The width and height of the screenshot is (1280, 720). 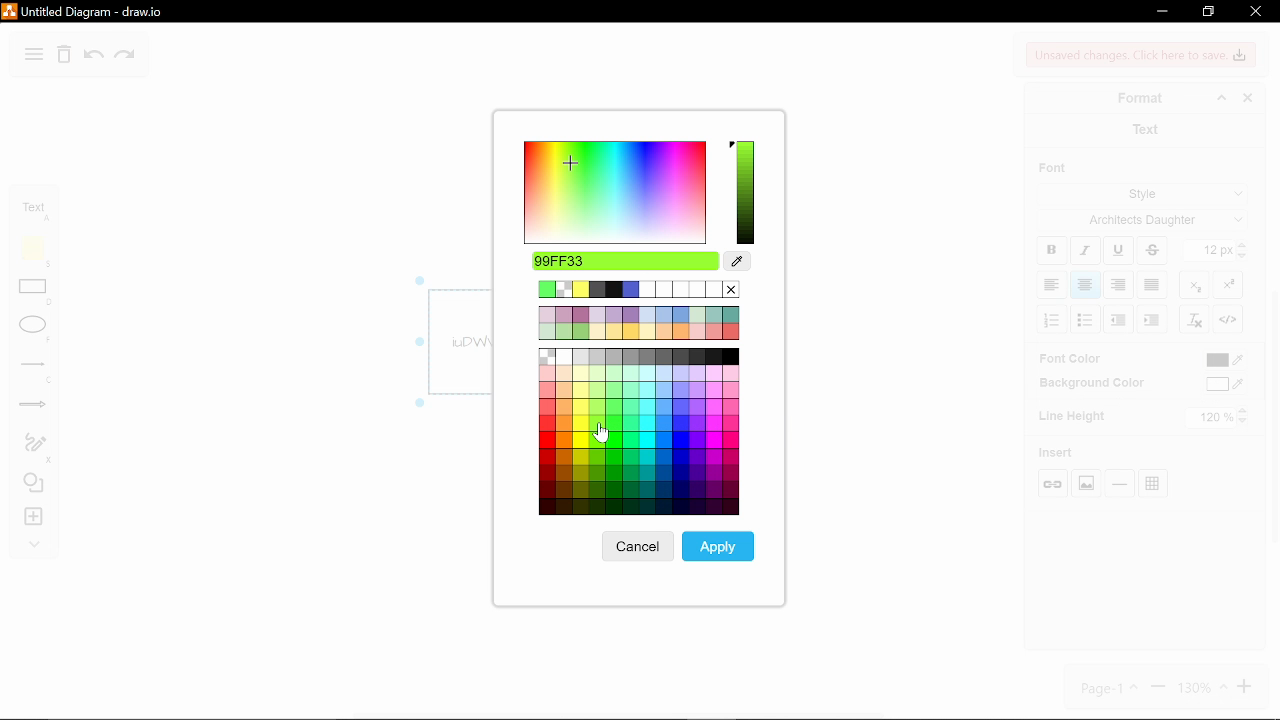 What do you see at coordinates (1246, 421) in the screenshot?
I see `decrease line height` at bounding box center [1246, 421].